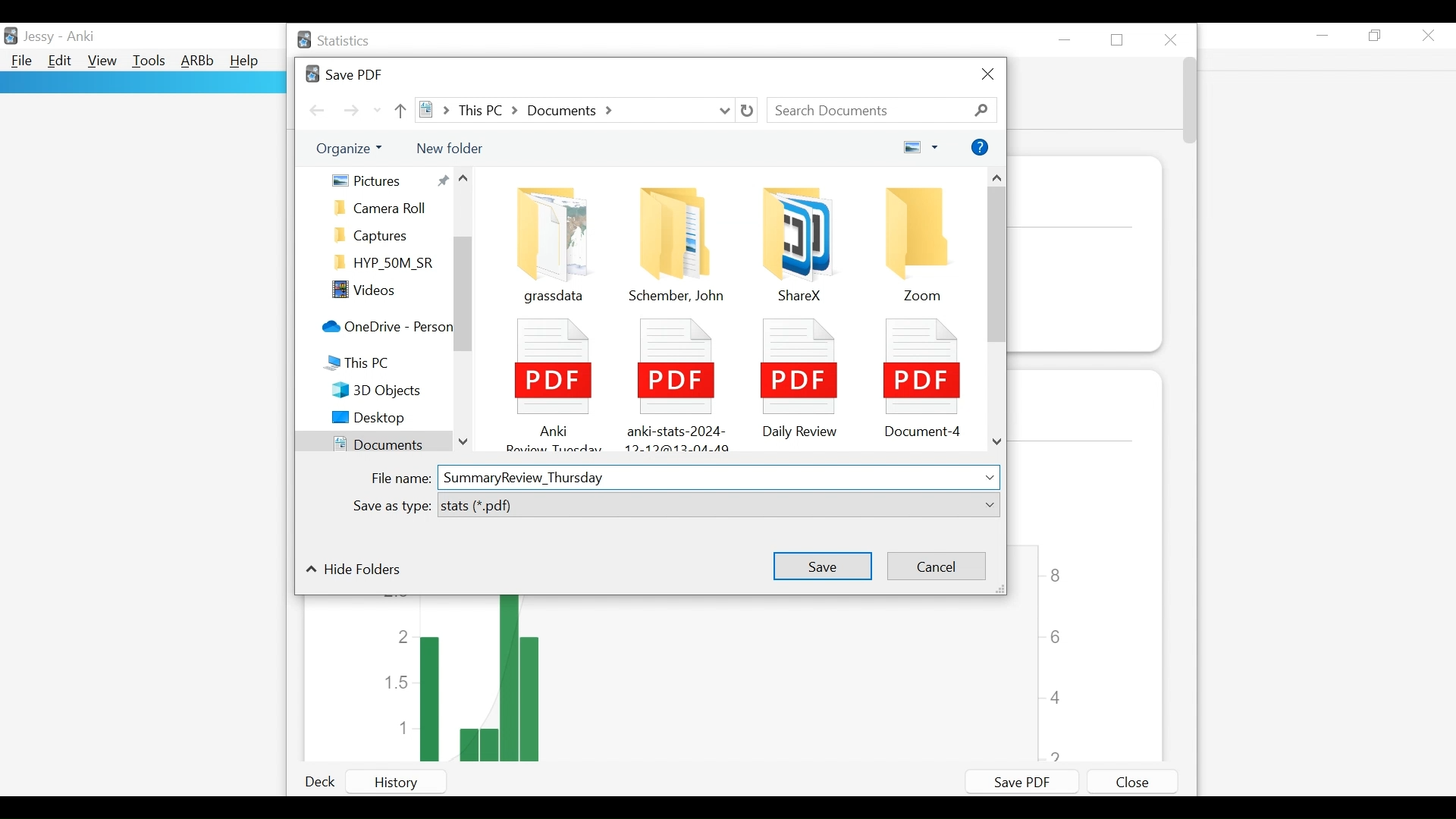 The height and width of the screenshot is (819, 1456). Describe the element at coordinates (400, 479) in the screenshot. I see `` at that location.